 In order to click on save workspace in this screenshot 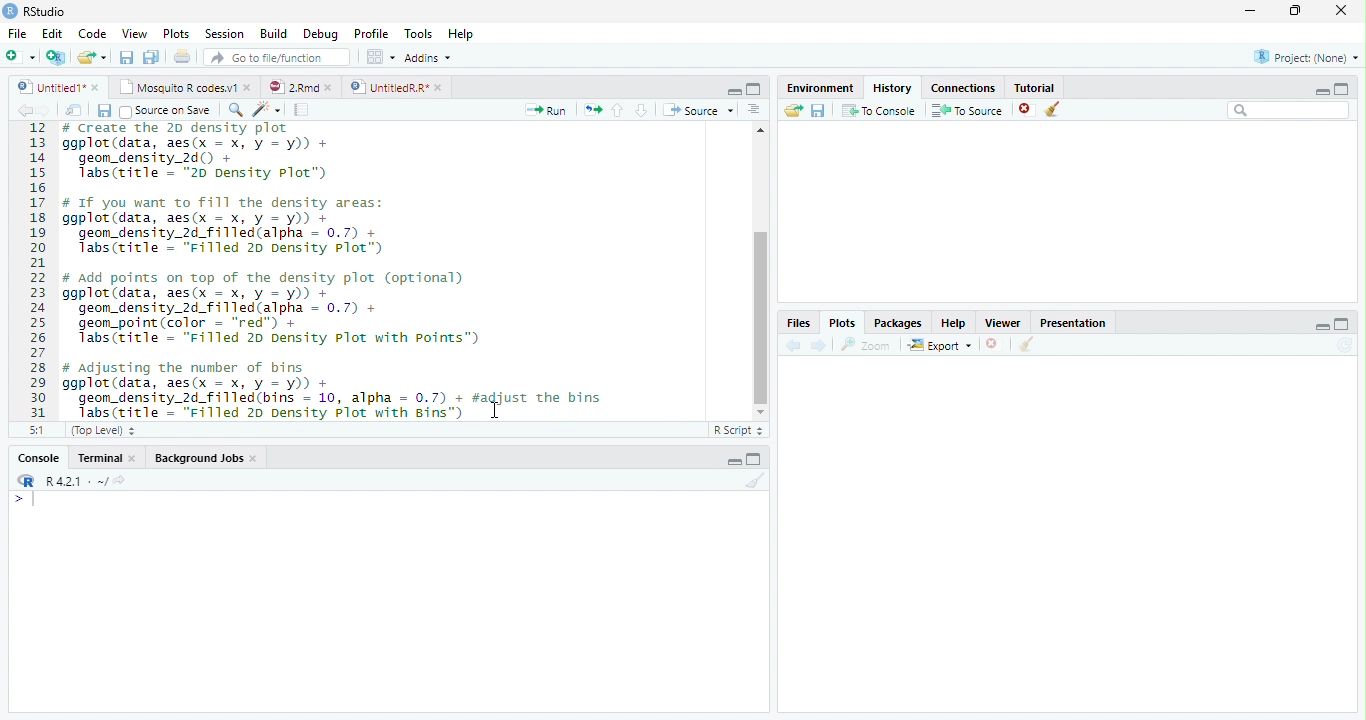, I will do `click(820, 111)`.